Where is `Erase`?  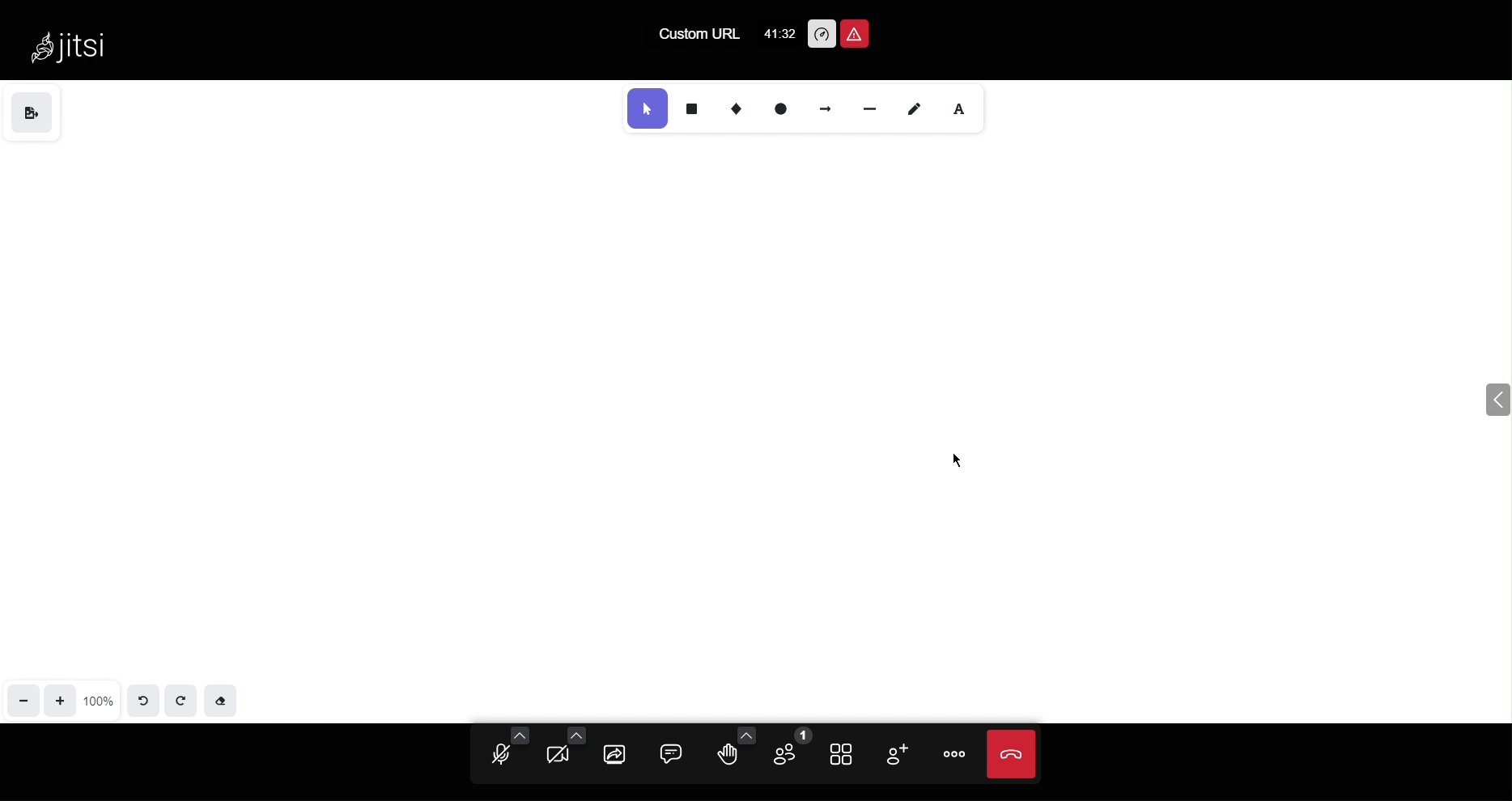 Erase is located at coordinates (223, 701).